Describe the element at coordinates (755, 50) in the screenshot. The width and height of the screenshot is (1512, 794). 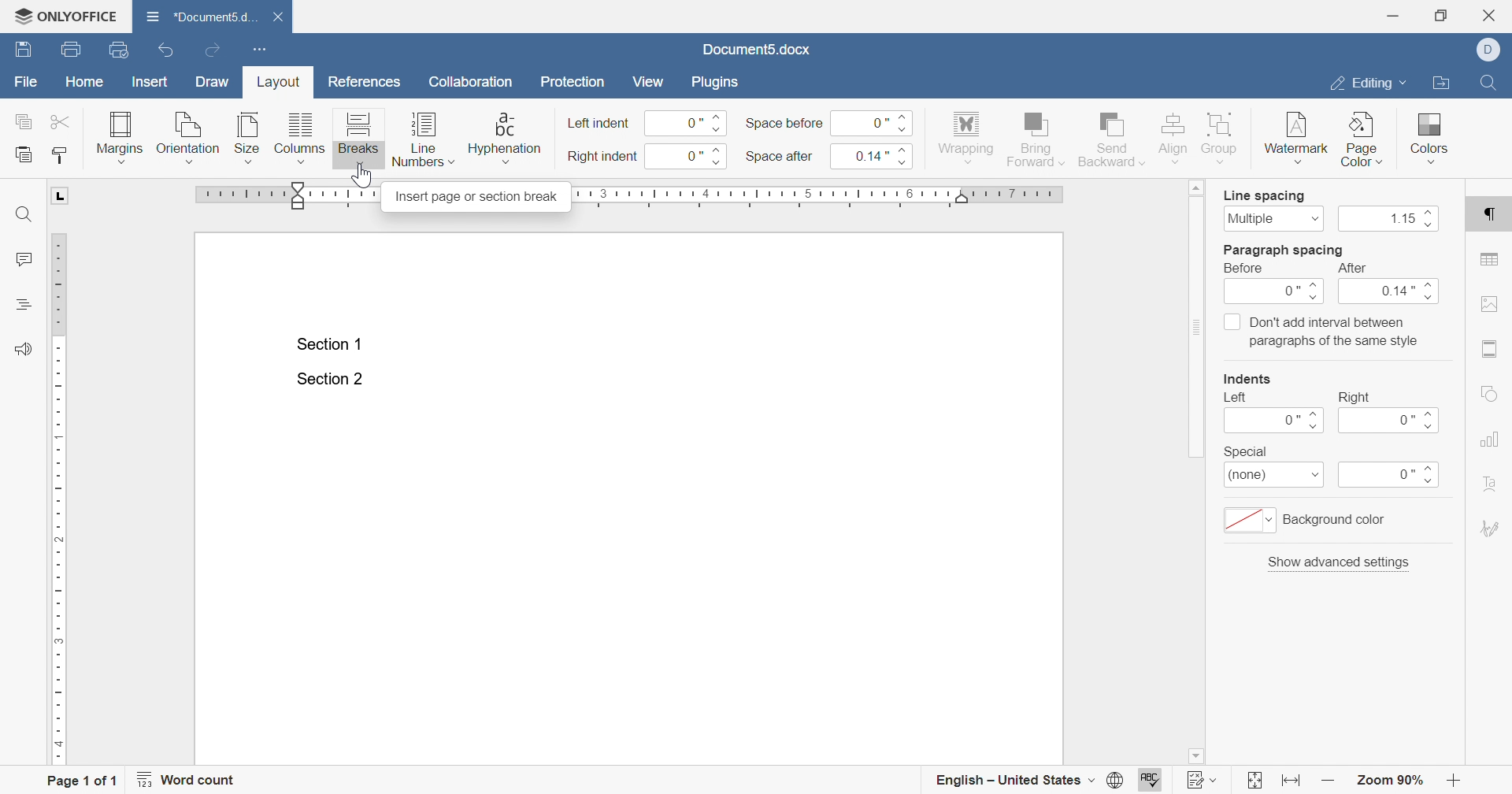
I see `document5.docx` at that location.